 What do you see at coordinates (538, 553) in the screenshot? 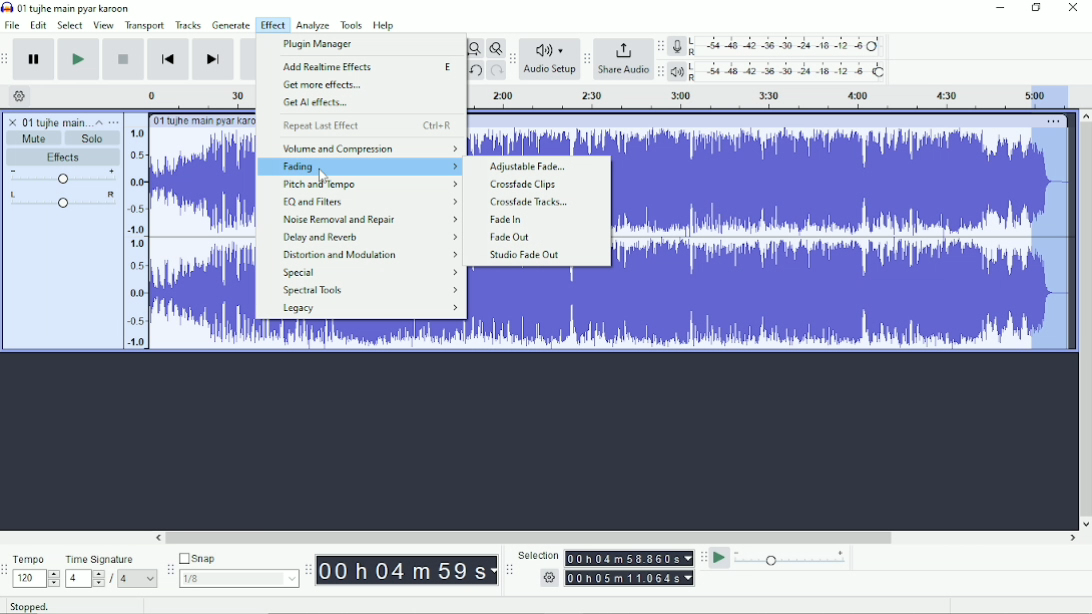
I see `Selection` at bounding box center [538, 553].